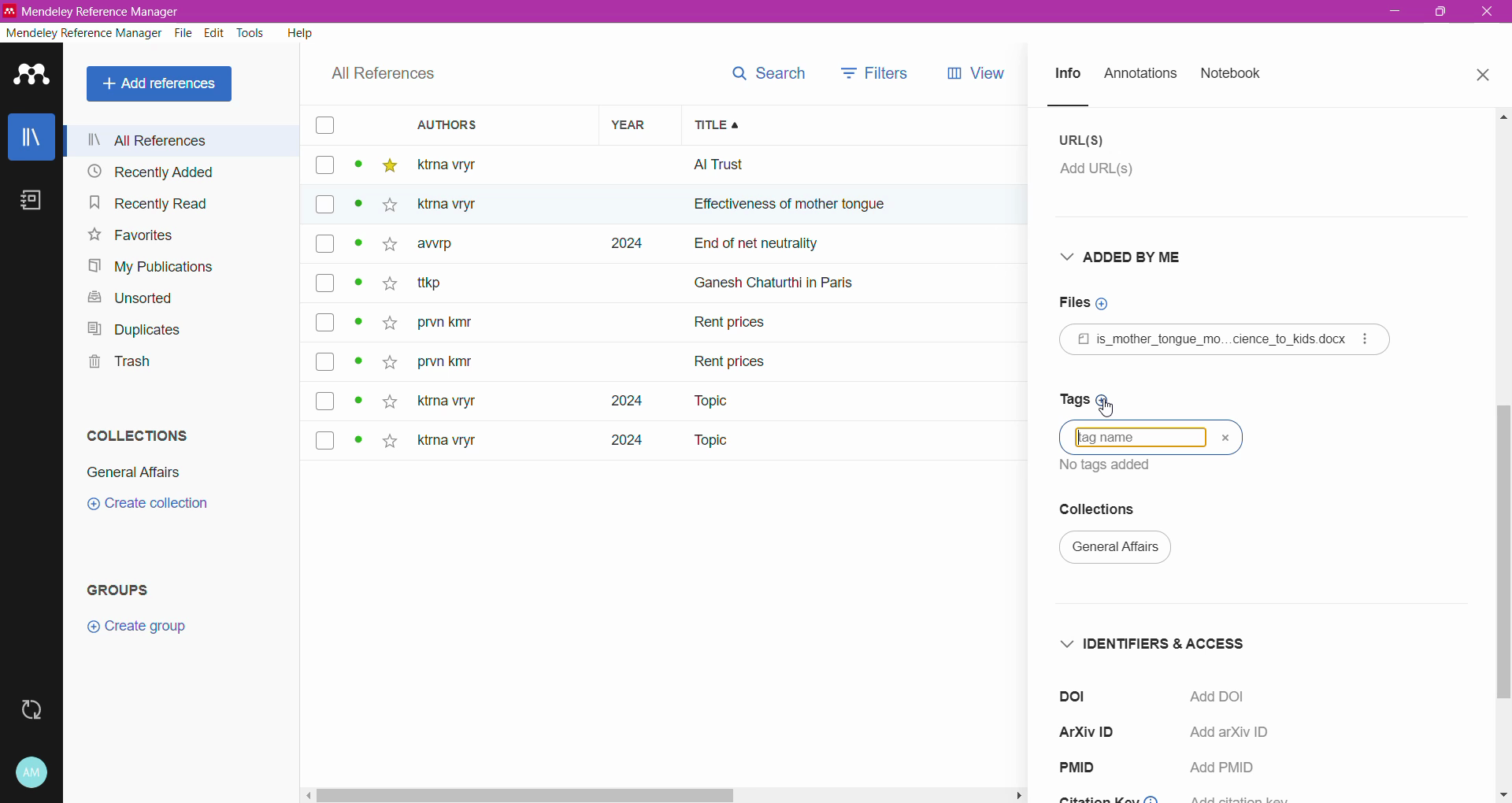 This screenshot has width=1512, height=803. What do you see at coordinates (458, 205) in the screenshot?
I see `` at bounding box center [458, 205].